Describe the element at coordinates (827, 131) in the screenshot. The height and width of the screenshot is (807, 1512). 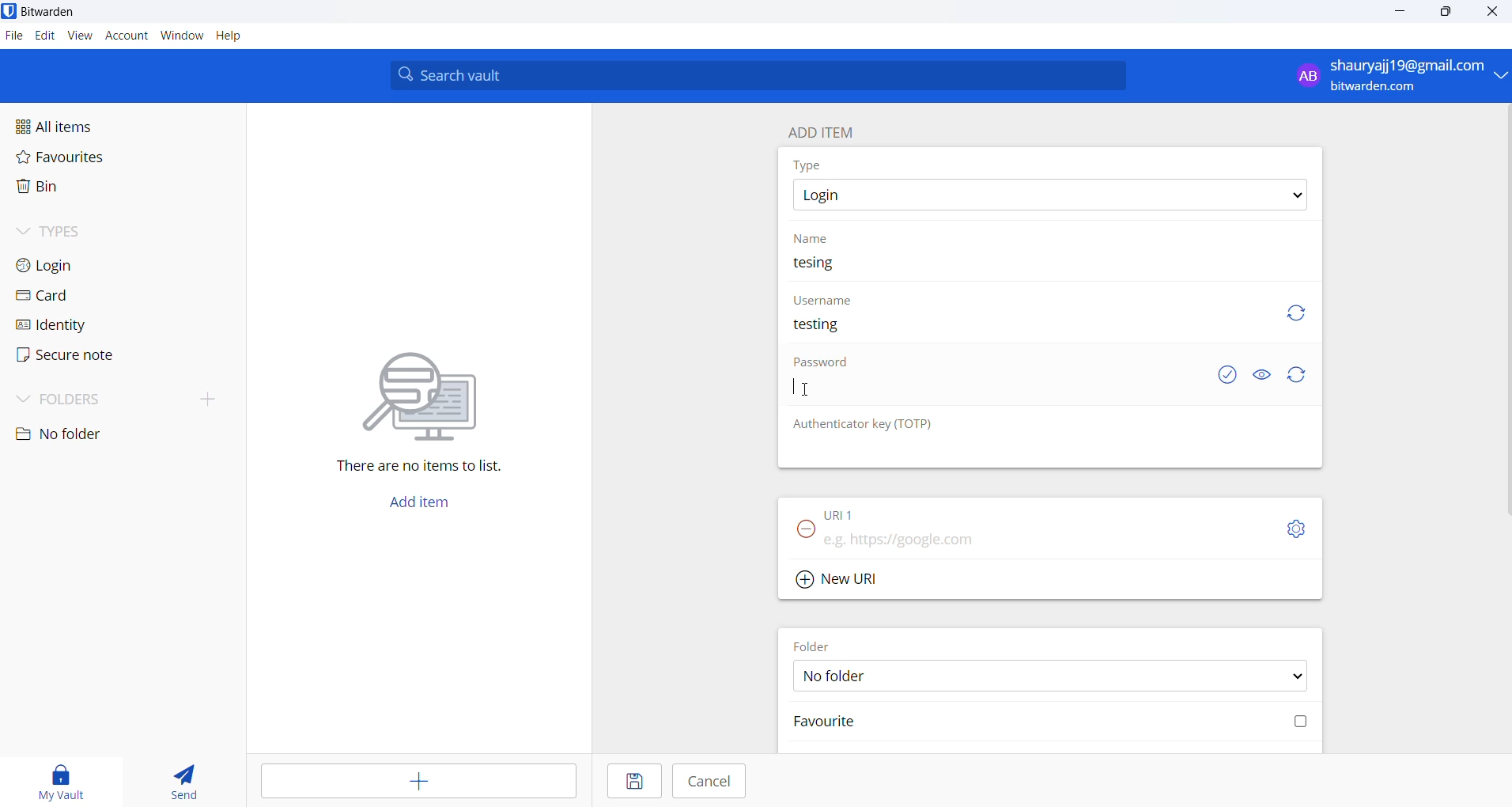
I see `add item heading` at that location.